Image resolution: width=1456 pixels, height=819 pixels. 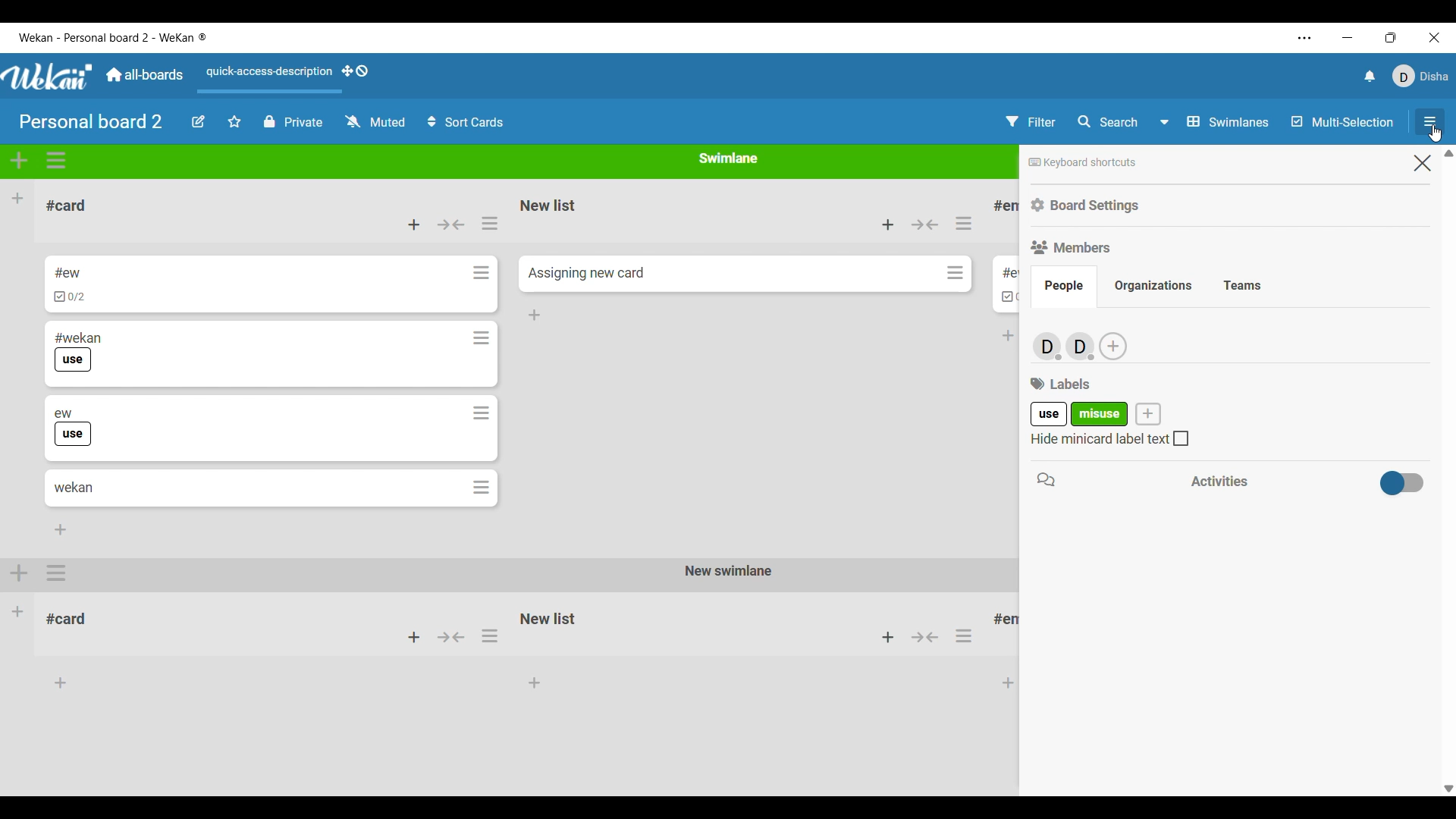 What do you see at coordinates (1423, 163) in the screenshot?
I see `Close menu` at bounding box center [1423, 163].